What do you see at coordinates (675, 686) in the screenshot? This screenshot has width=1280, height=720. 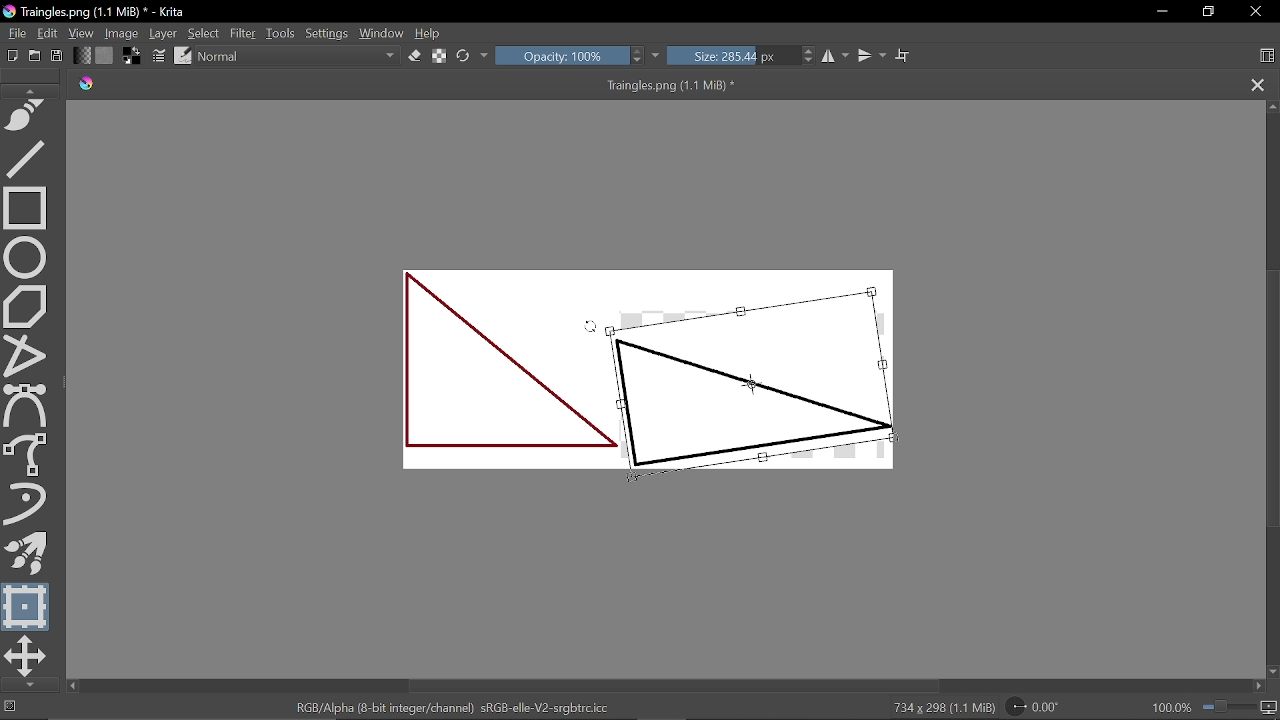 I see `Horizontal scrollbar` at bounding box center [675, 686].